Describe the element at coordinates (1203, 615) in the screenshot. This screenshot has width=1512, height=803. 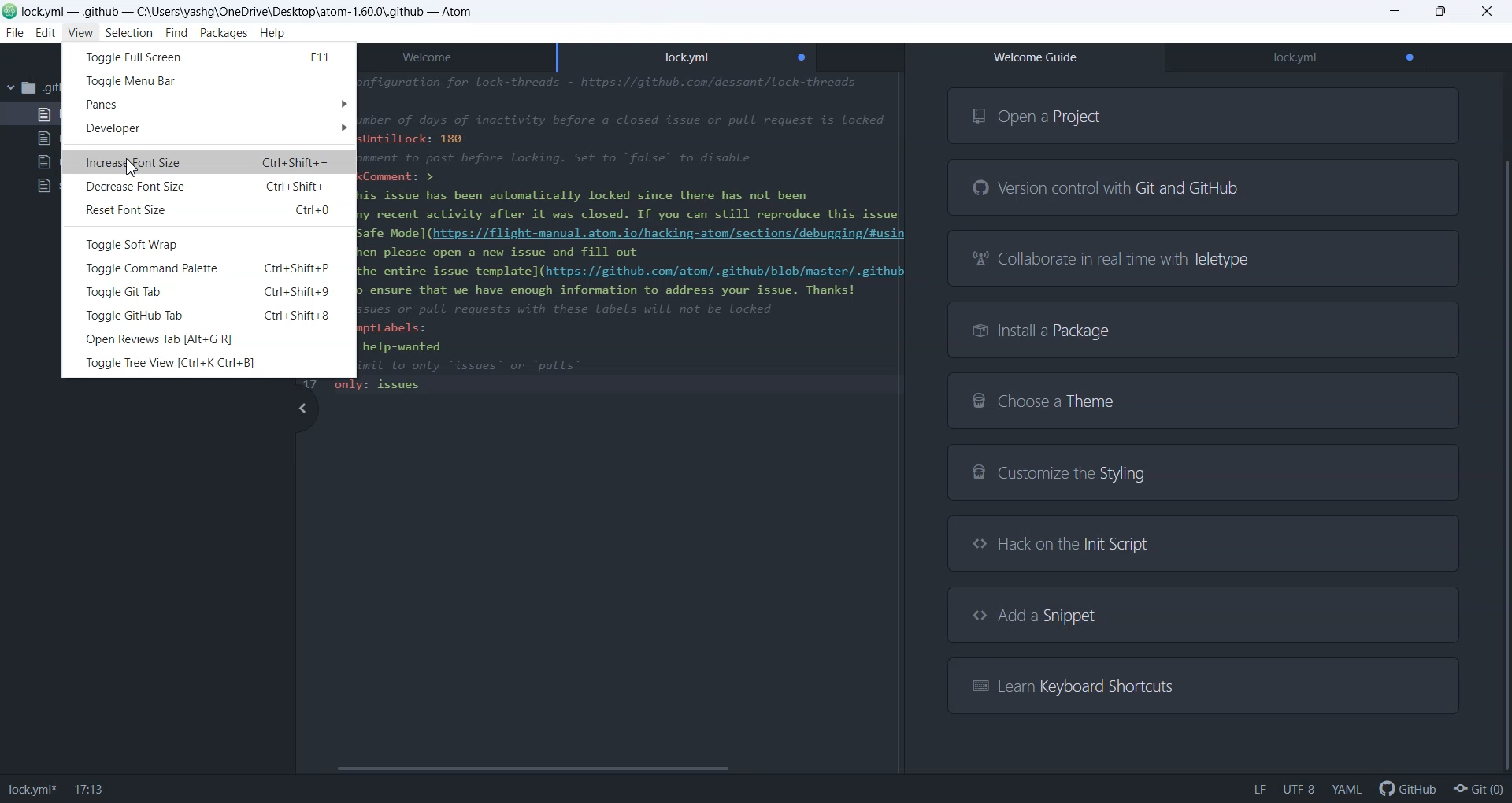
I see `Add a Snippet` at that location.